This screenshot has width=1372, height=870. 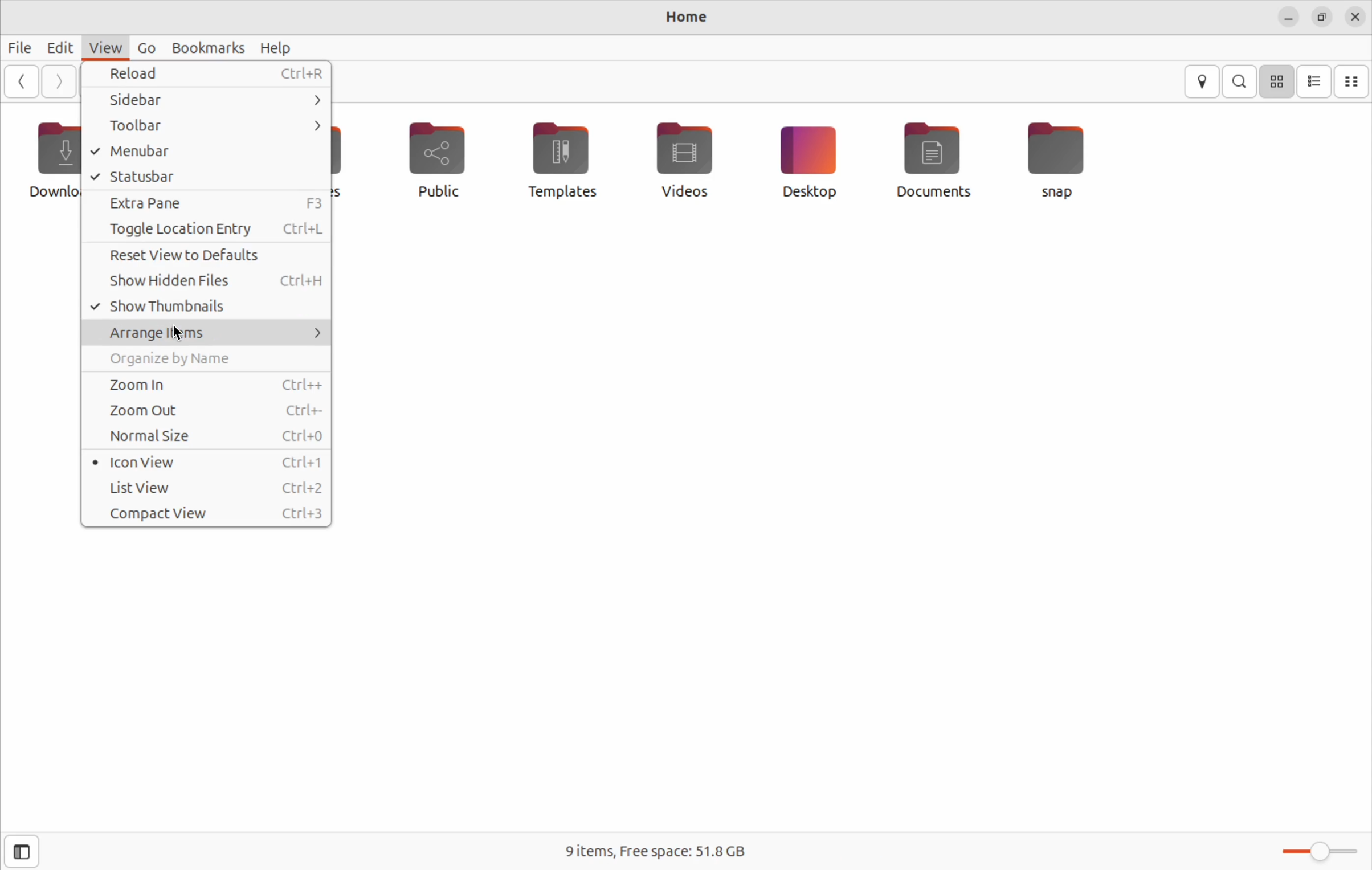 I want to click on edit, so click(x=52, y=46).